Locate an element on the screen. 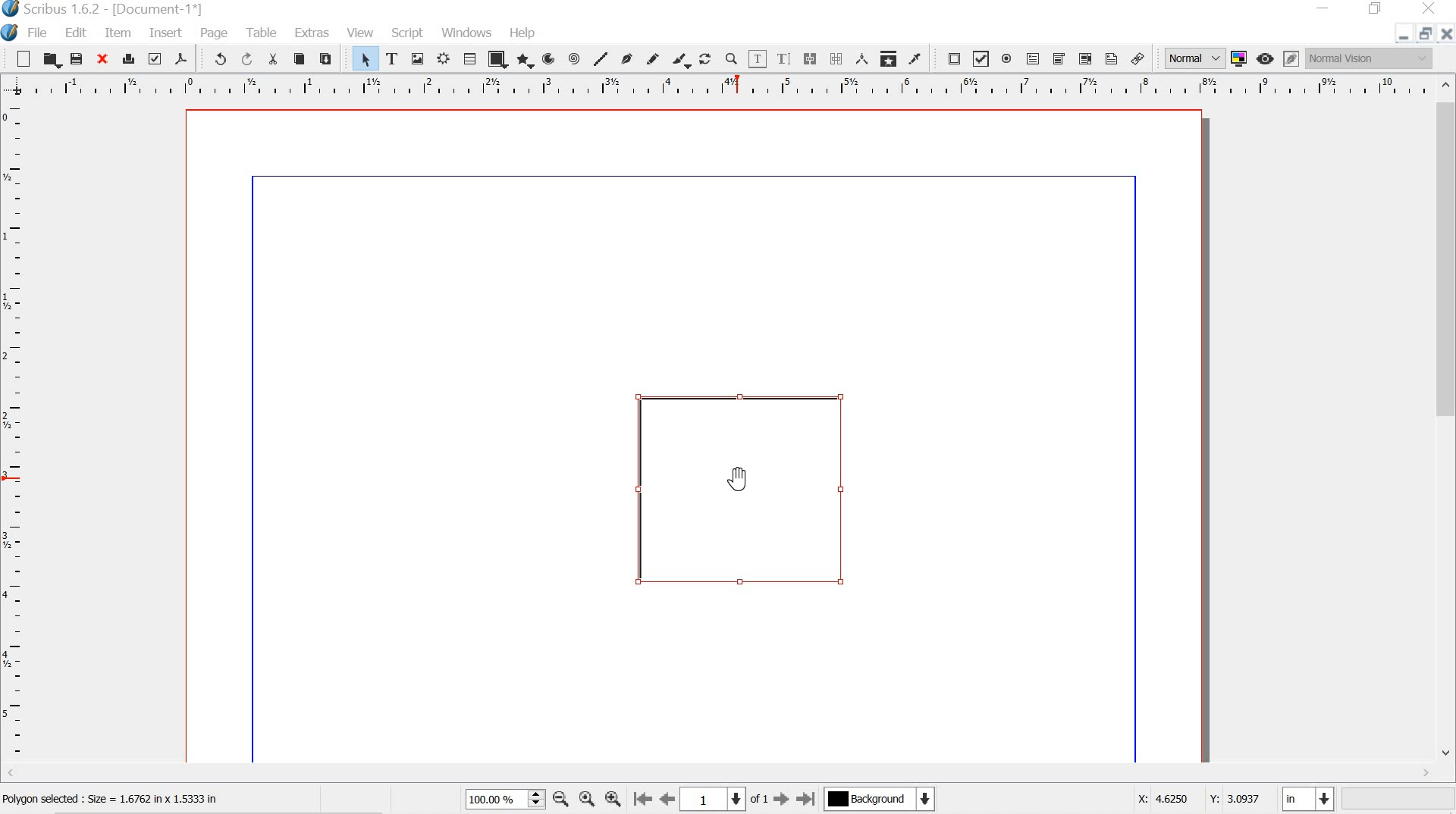  shape is located at coordinates (495, 61).